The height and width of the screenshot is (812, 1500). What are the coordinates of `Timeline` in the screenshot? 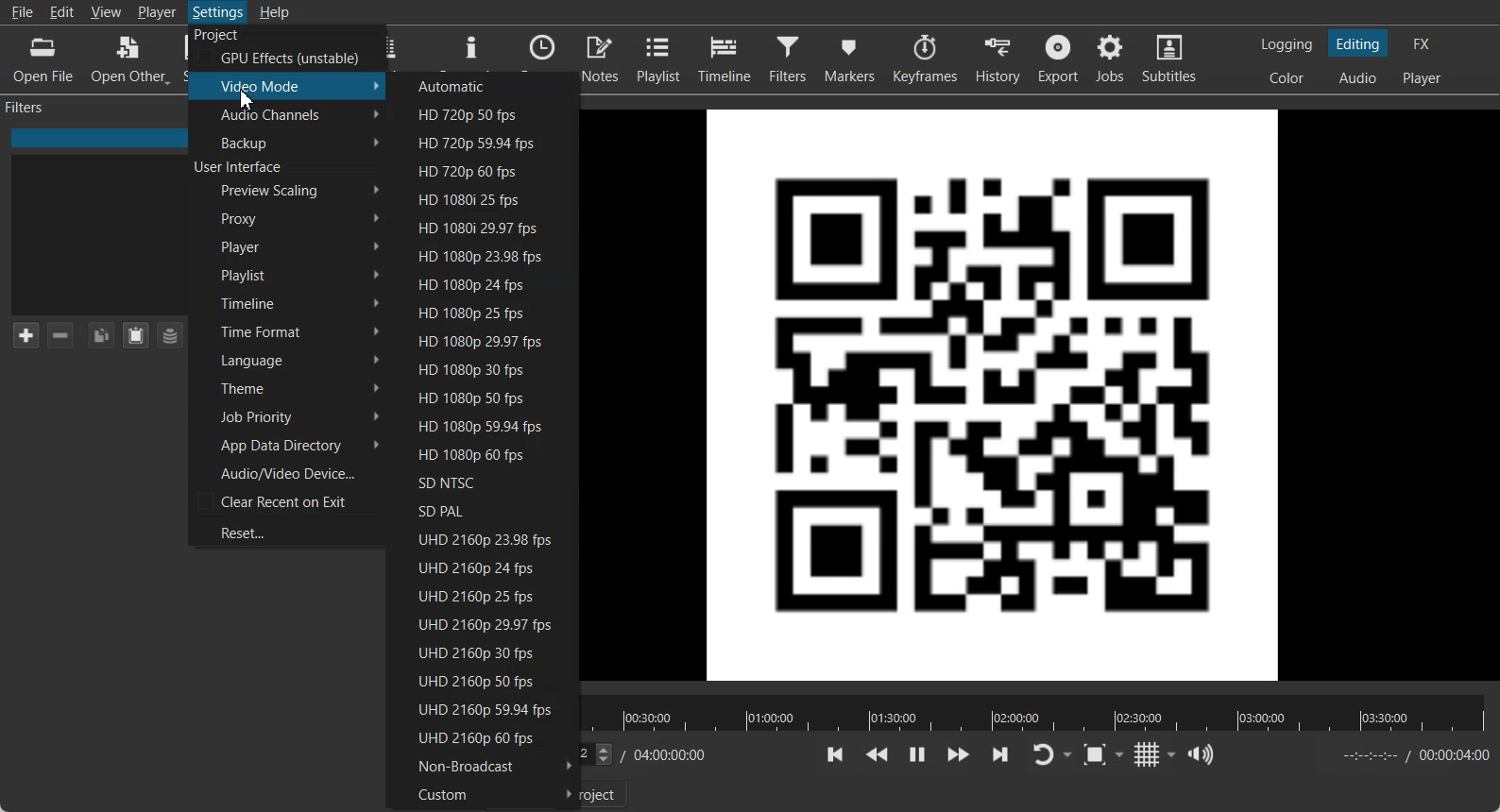 It's located at (724, 59).